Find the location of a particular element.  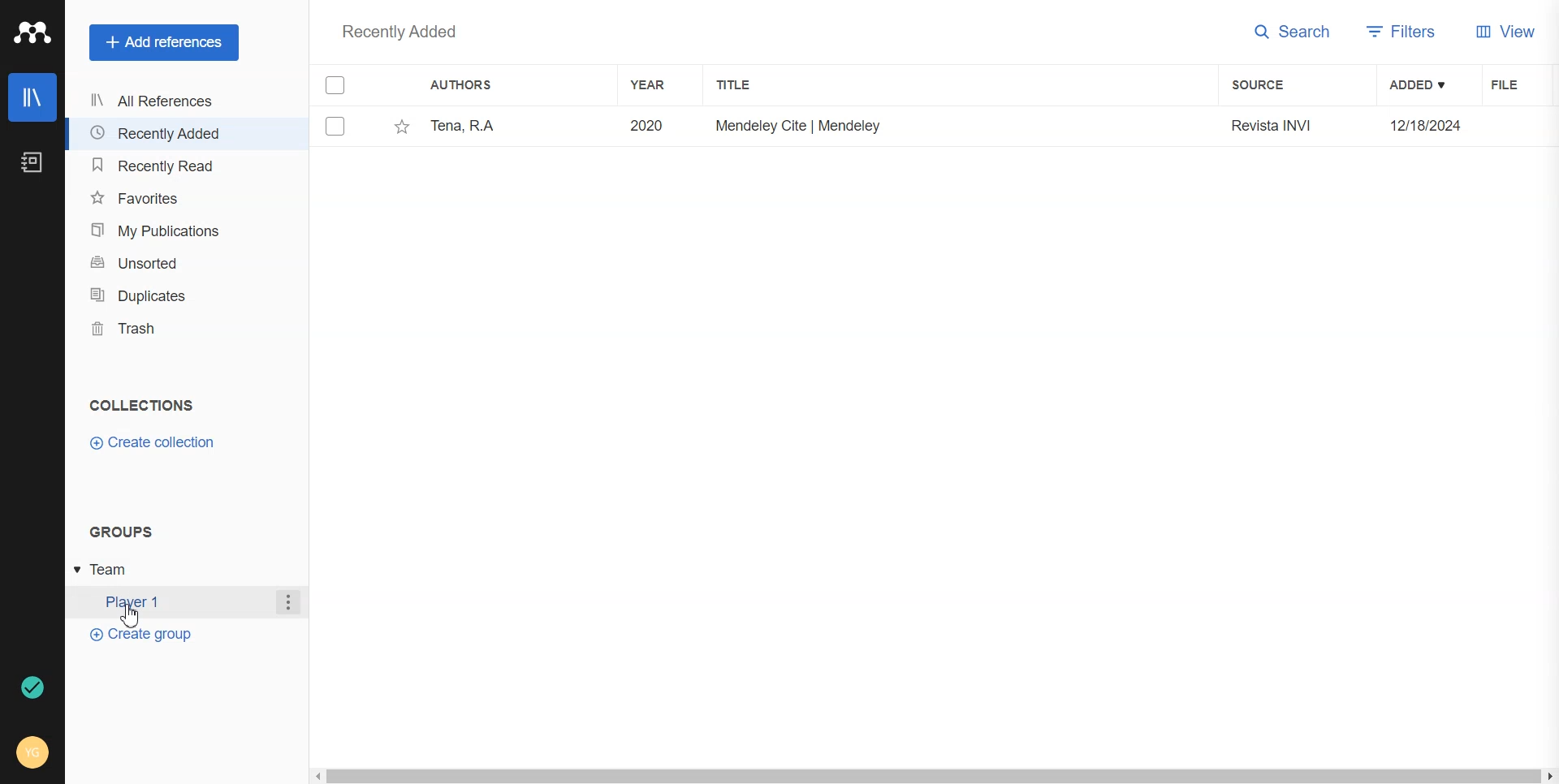

scroll right is located at coordinates (1549, 776).